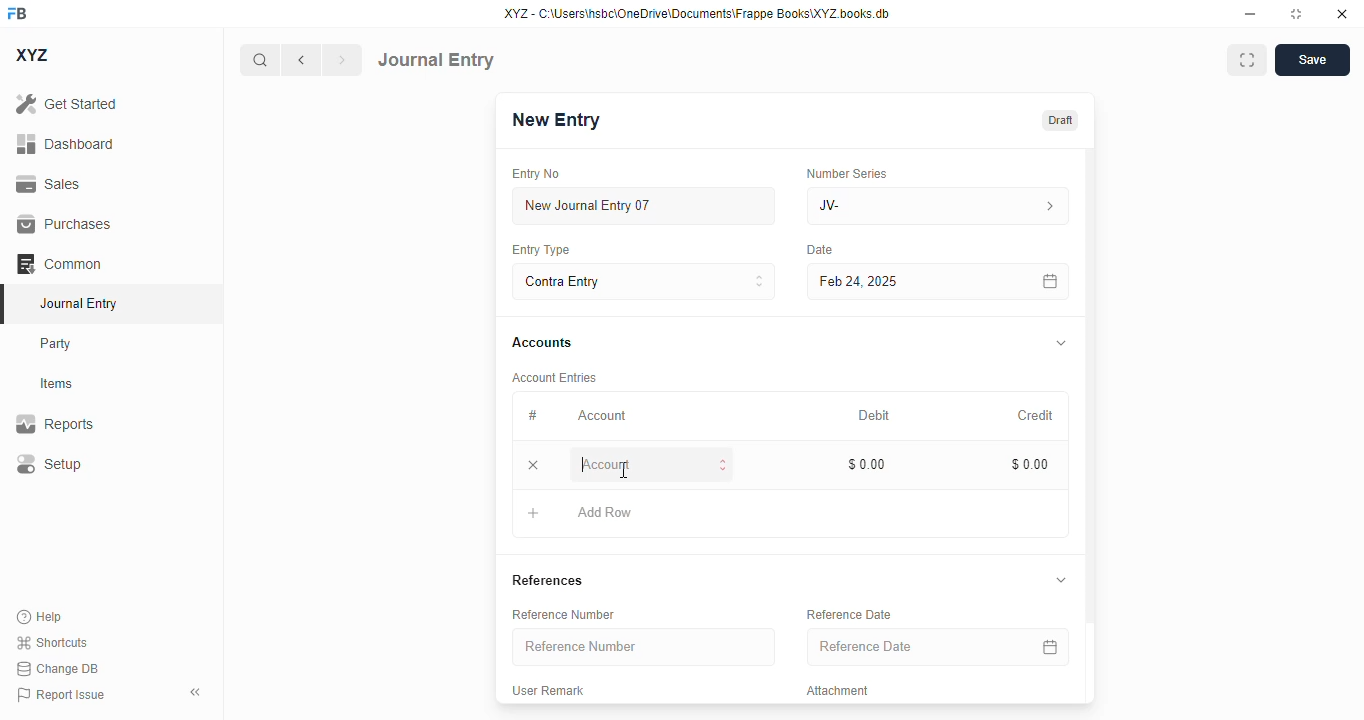  What do you see at coordinates (542, 344) in the screenshot?
I see `accounts` at bounding box center [542, 344].